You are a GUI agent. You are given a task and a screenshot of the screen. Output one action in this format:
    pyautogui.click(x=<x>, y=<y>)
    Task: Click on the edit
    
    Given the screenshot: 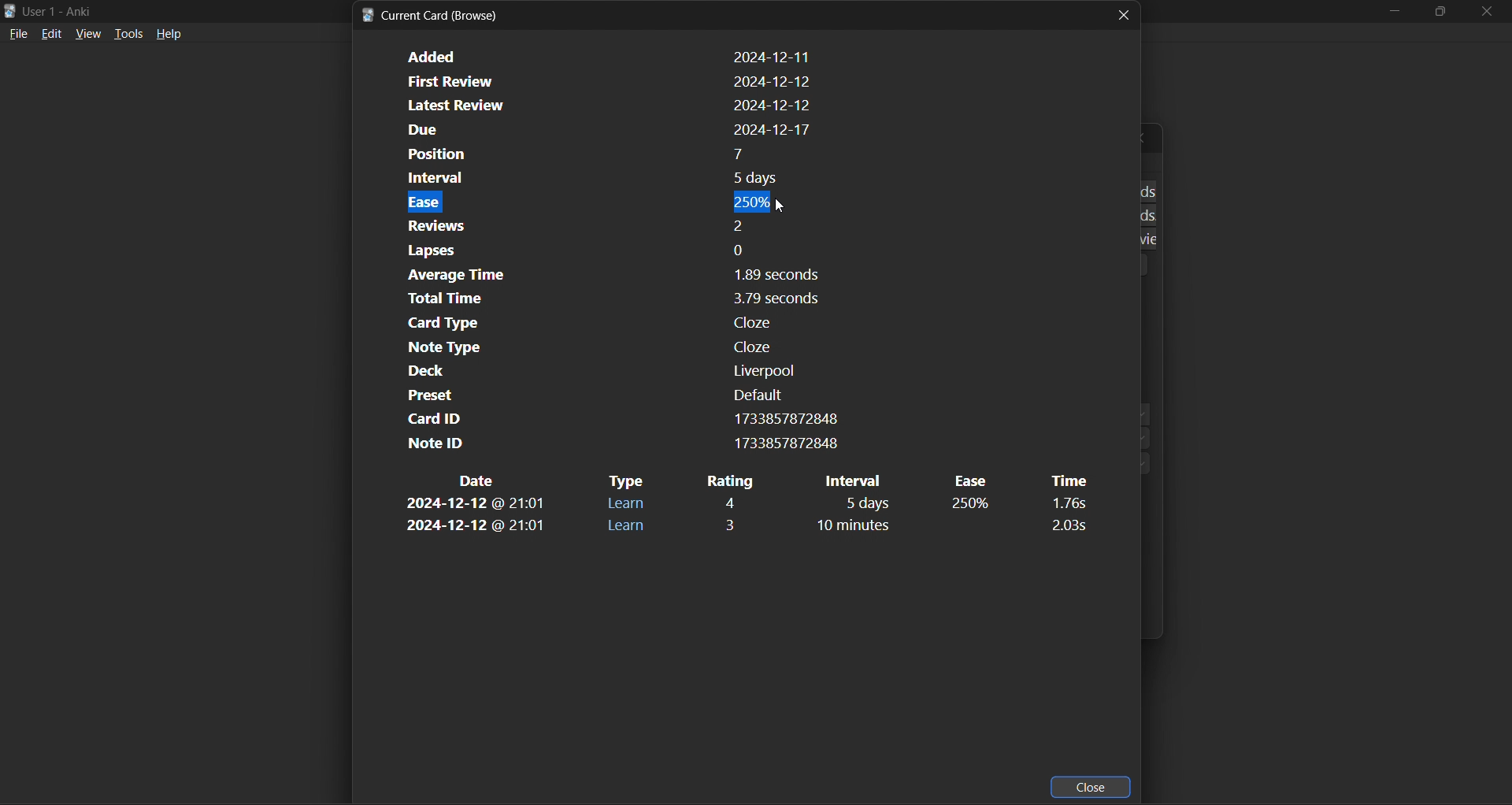 What is the action you would take?
    pyautogui.click(x=52, y=35)
    